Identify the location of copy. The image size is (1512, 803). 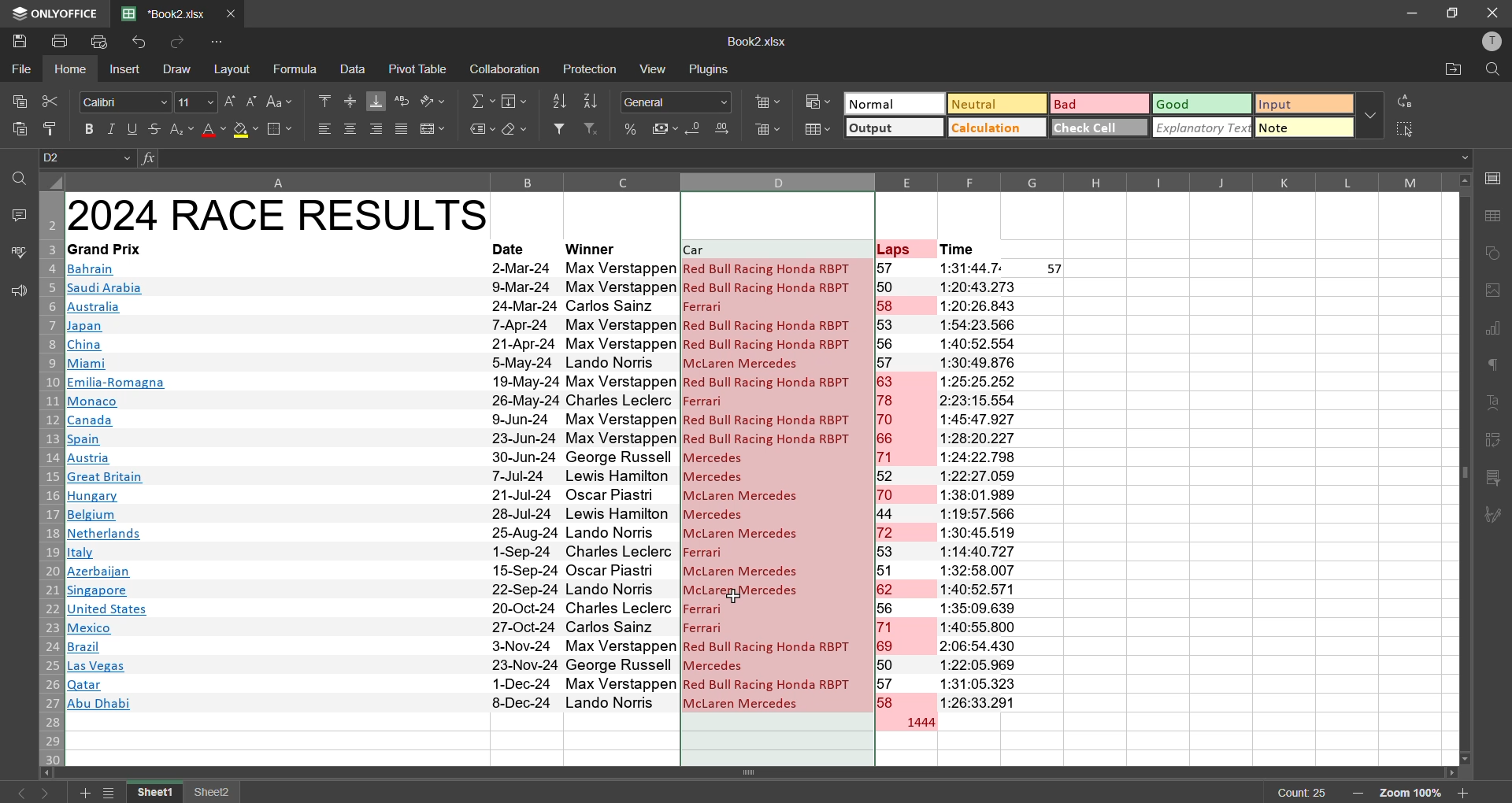
(16, 98).